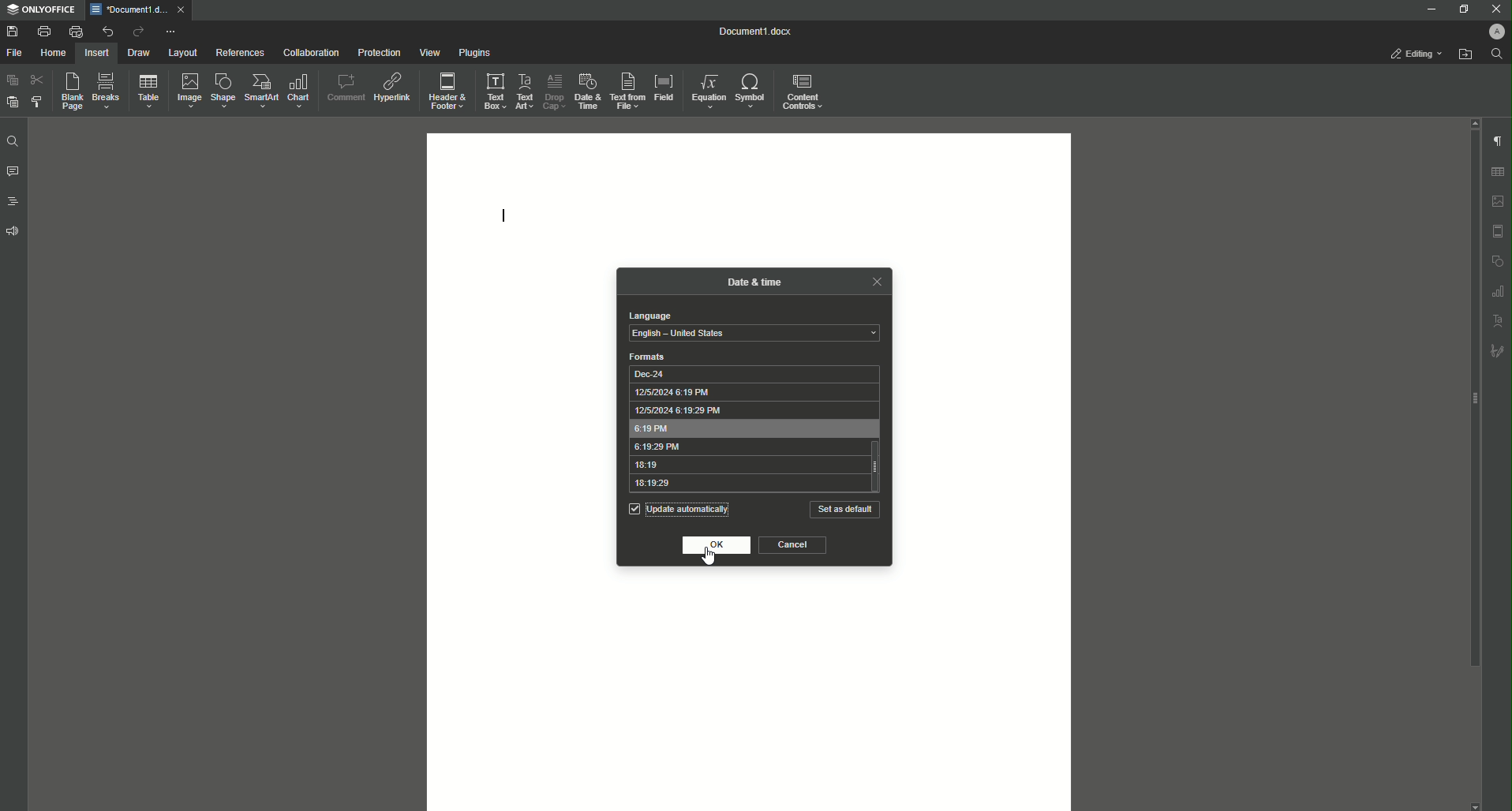 The image size is (1512, 811). I want to click on Protection, so click(376, 51).